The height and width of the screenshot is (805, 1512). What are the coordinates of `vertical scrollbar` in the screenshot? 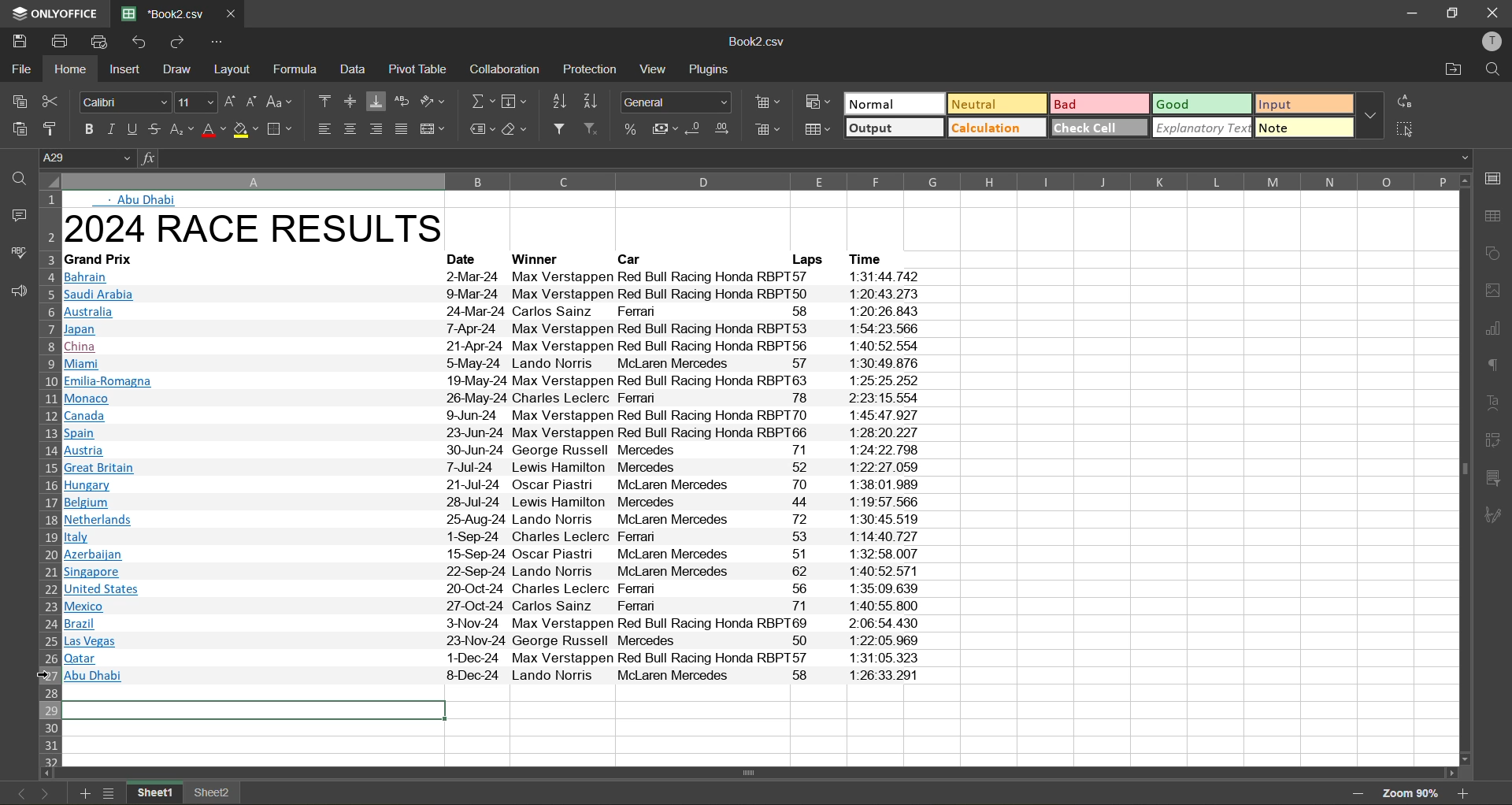 It's located at (1461, 466).